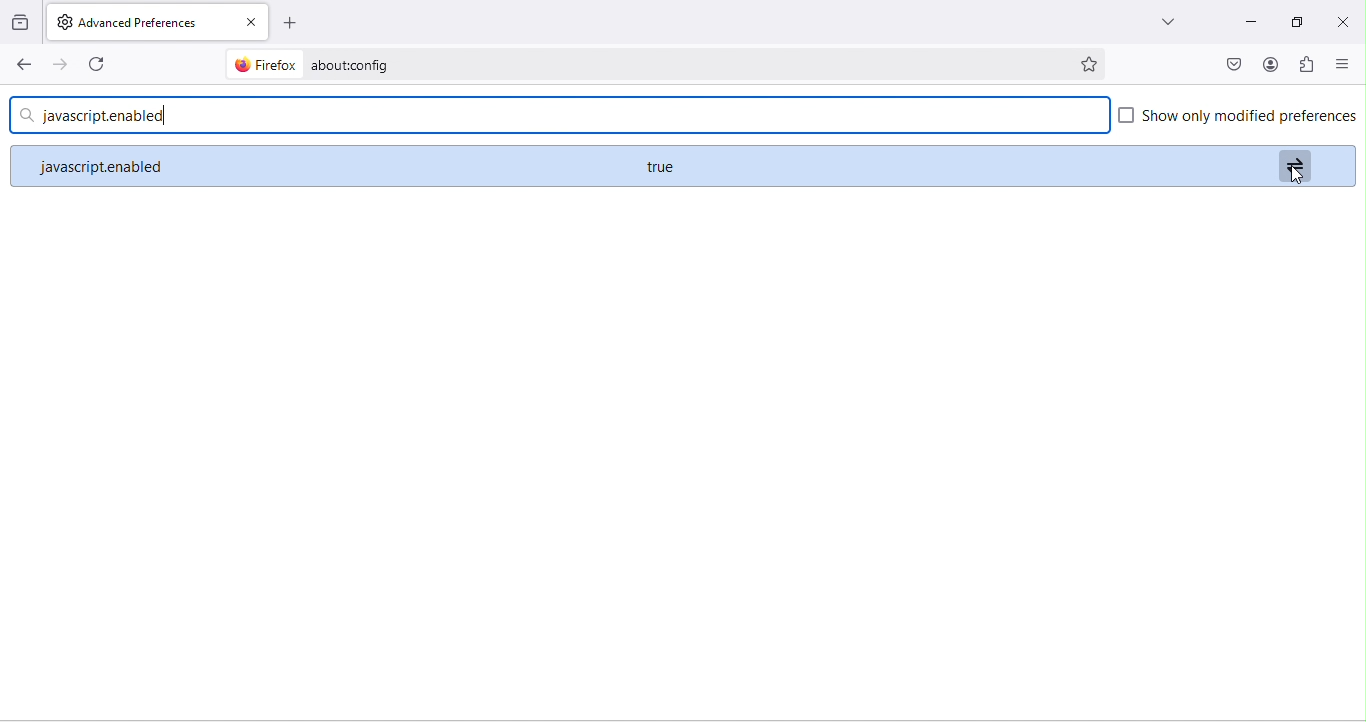 The width and height of the screenshot is (1366, 722). What do you see at coordinates (1296, 176) in the screenshot?
I see `cursor movement` at bounding box center [1296, 176].